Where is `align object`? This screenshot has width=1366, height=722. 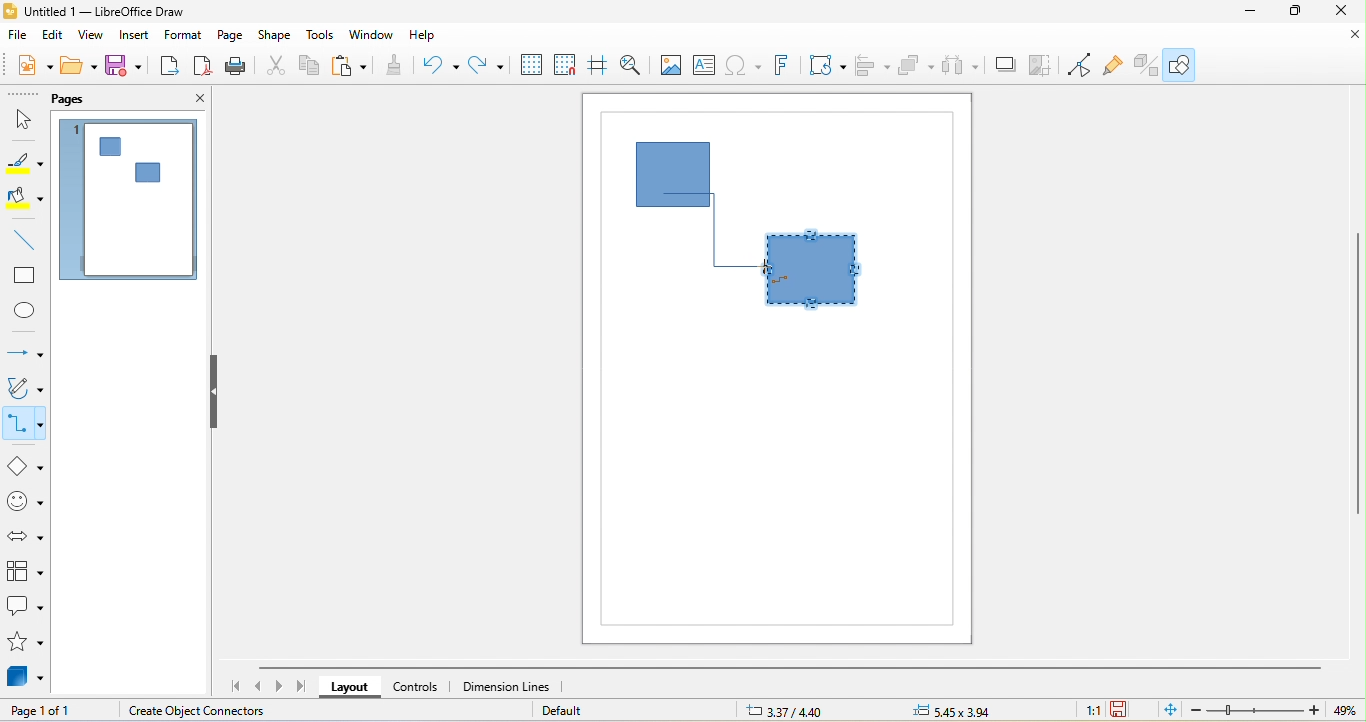
align object is located at coordinates (872, 65).